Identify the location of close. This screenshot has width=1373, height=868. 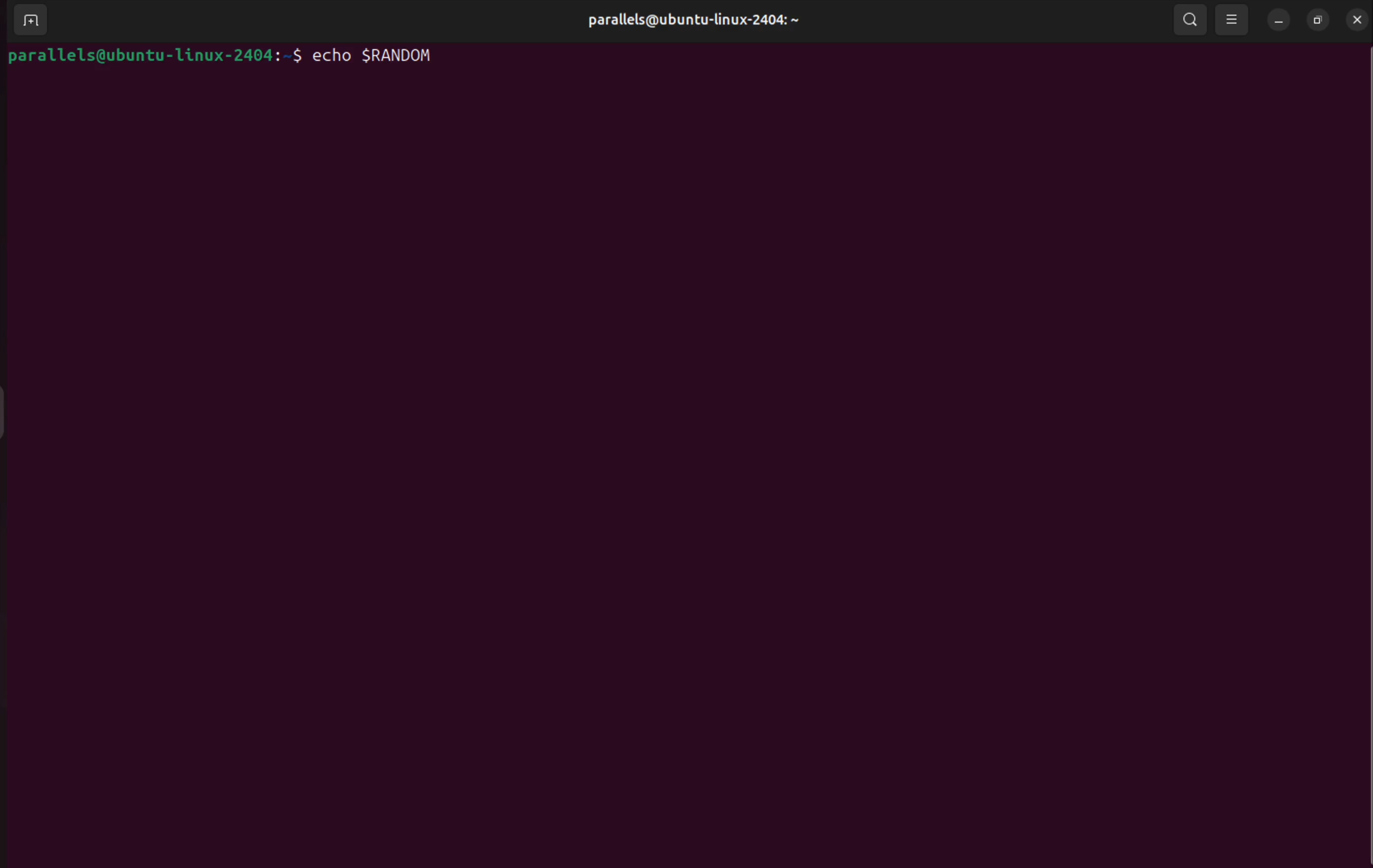
(1356, 17).